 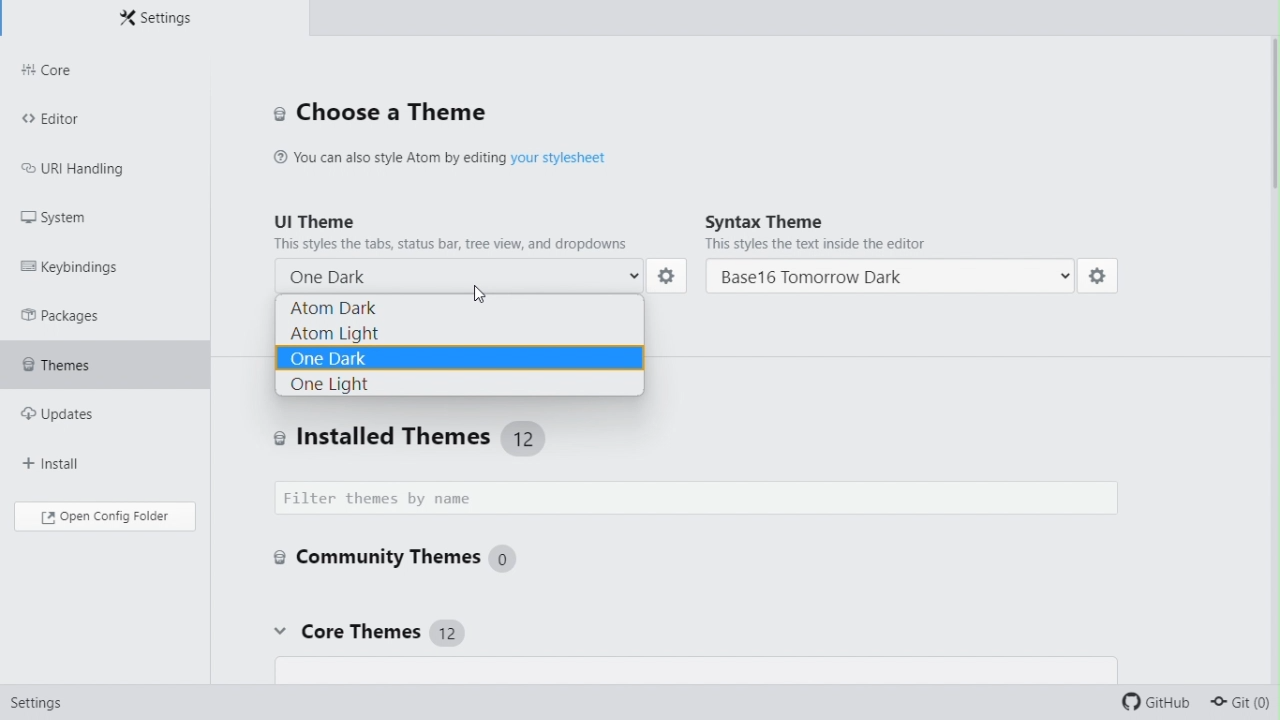 What do you see at coordinates (897, 232) in the screenshot?
I see `syntax theme- this styles the text inside the editor` at bounding box center [897, 232].